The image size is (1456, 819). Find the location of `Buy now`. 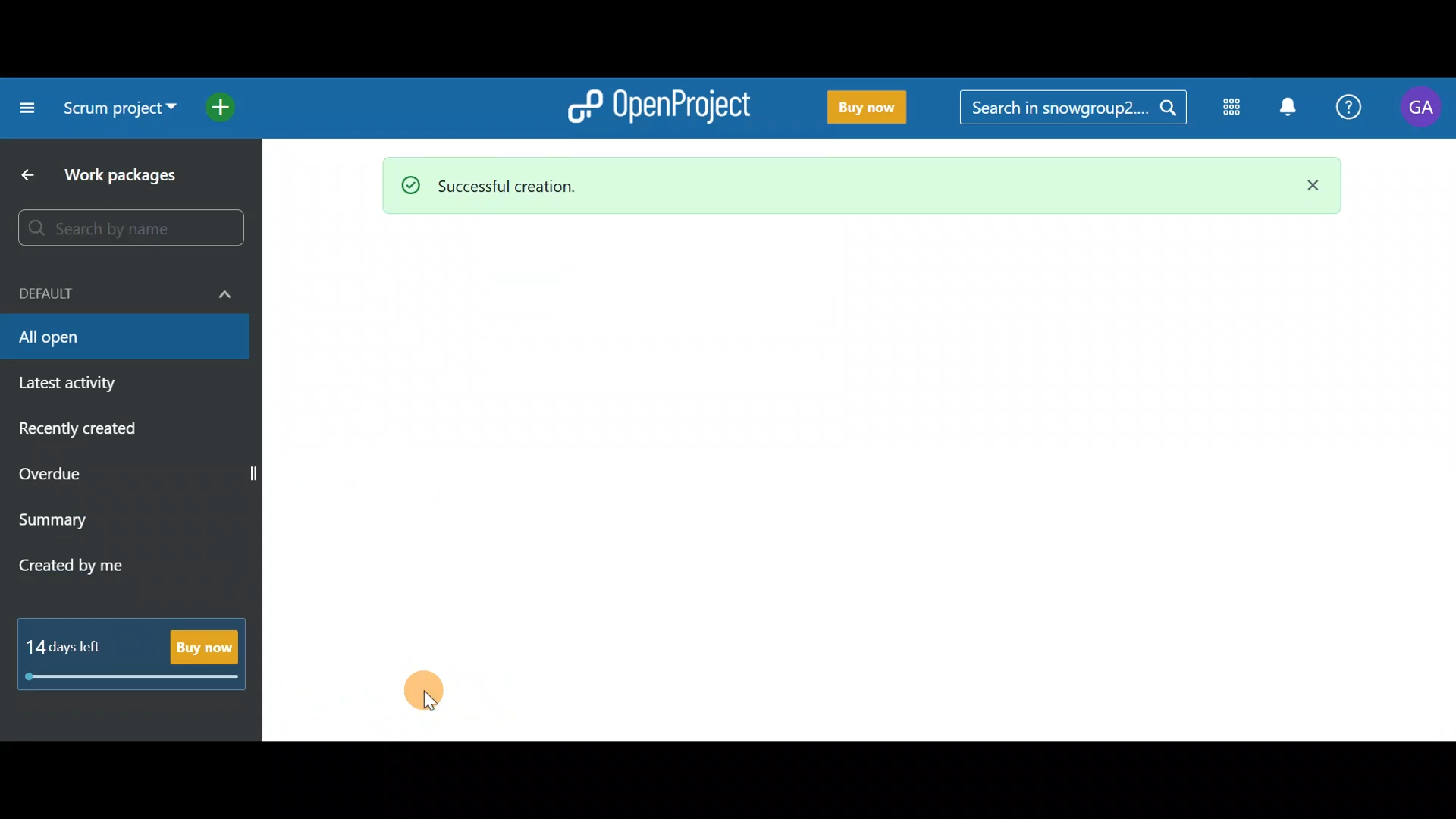

Buy now is located at coordinates (860, 108).